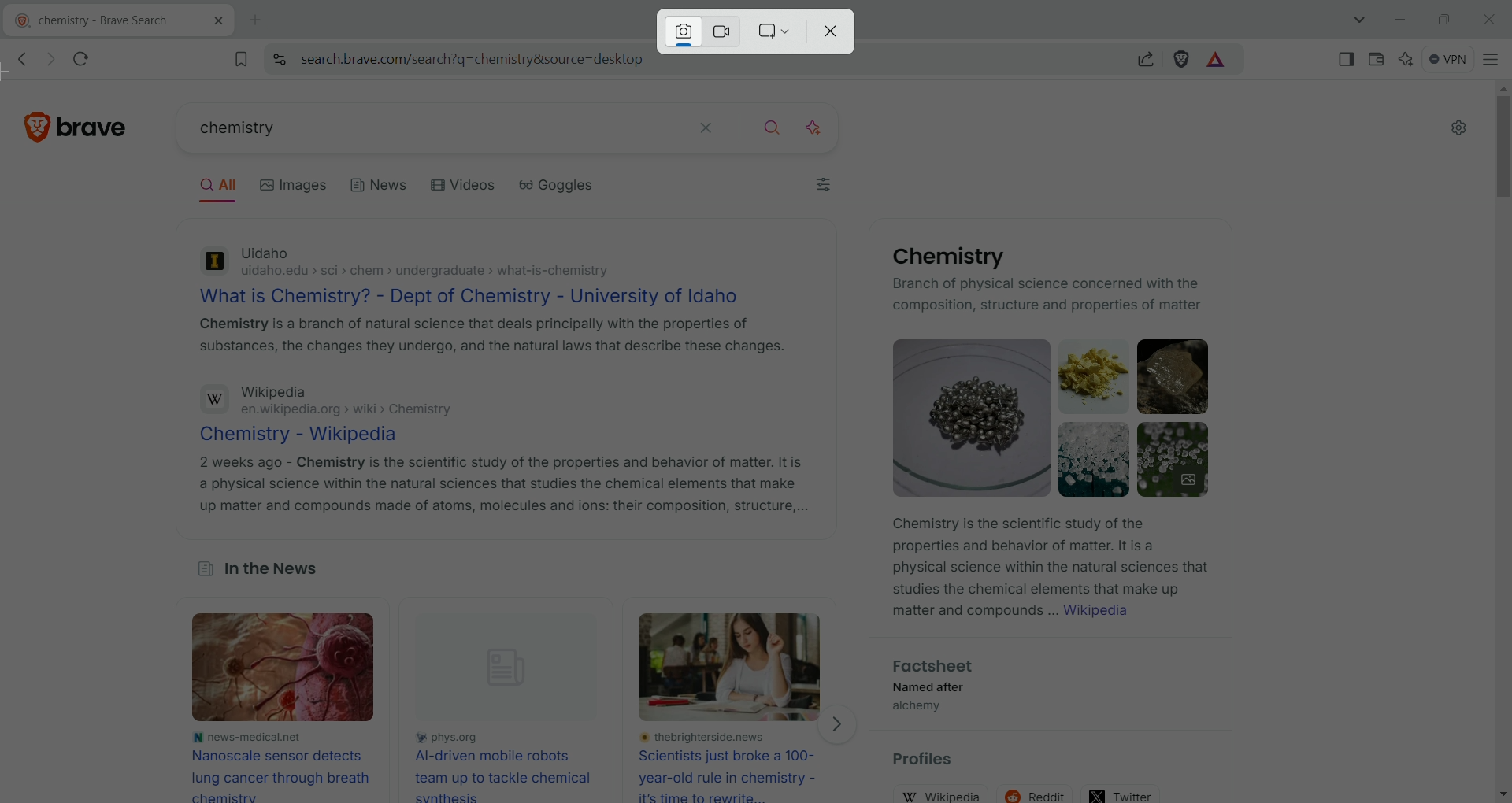 The width and height of the screenshot is (1512, 803). Describe the element at coordinates (1217, 61) in the screenshot. I see `brave rewards` at that location.